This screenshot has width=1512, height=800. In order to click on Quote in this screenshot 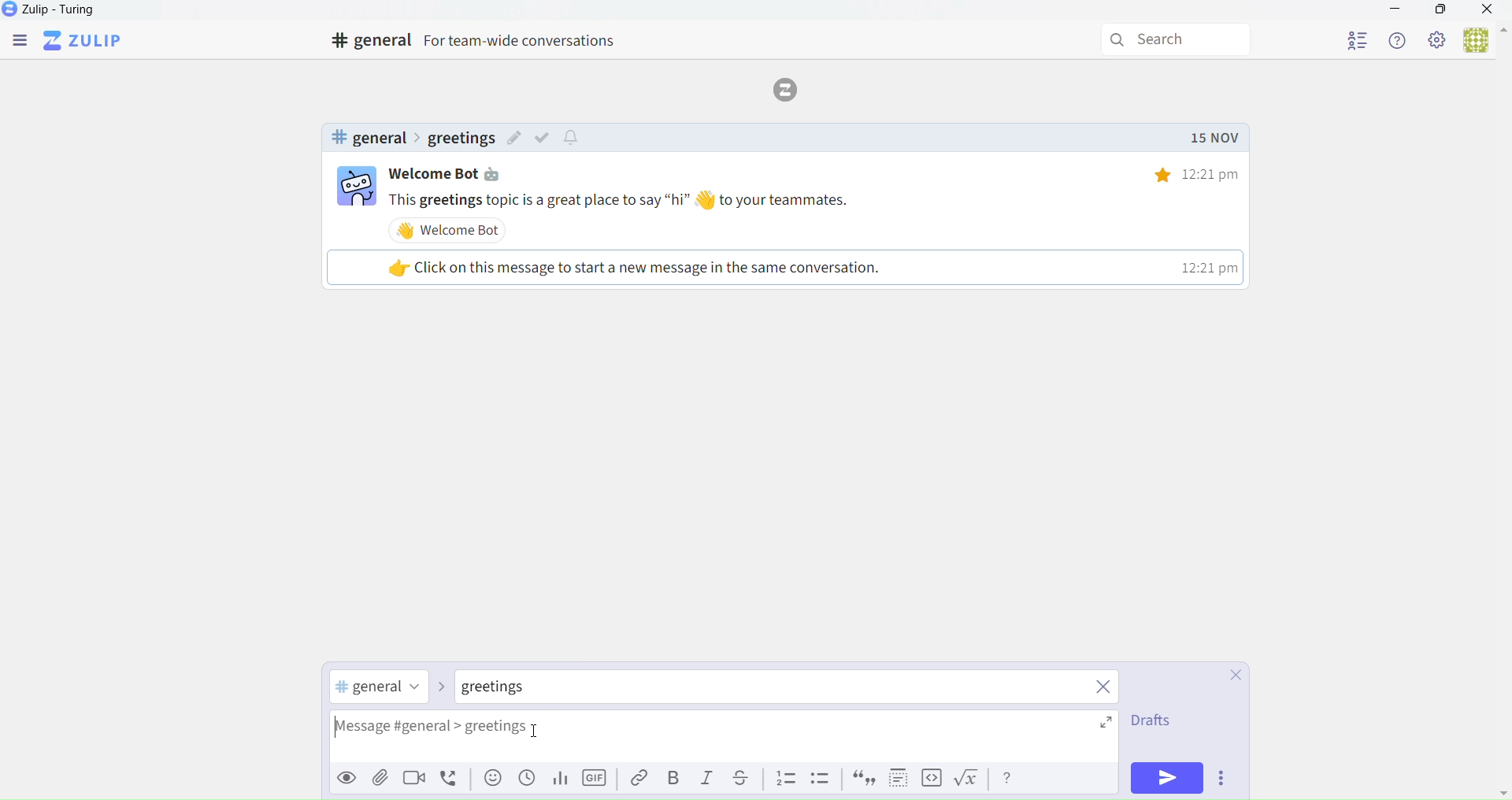, I will do `click(862, 780)`.